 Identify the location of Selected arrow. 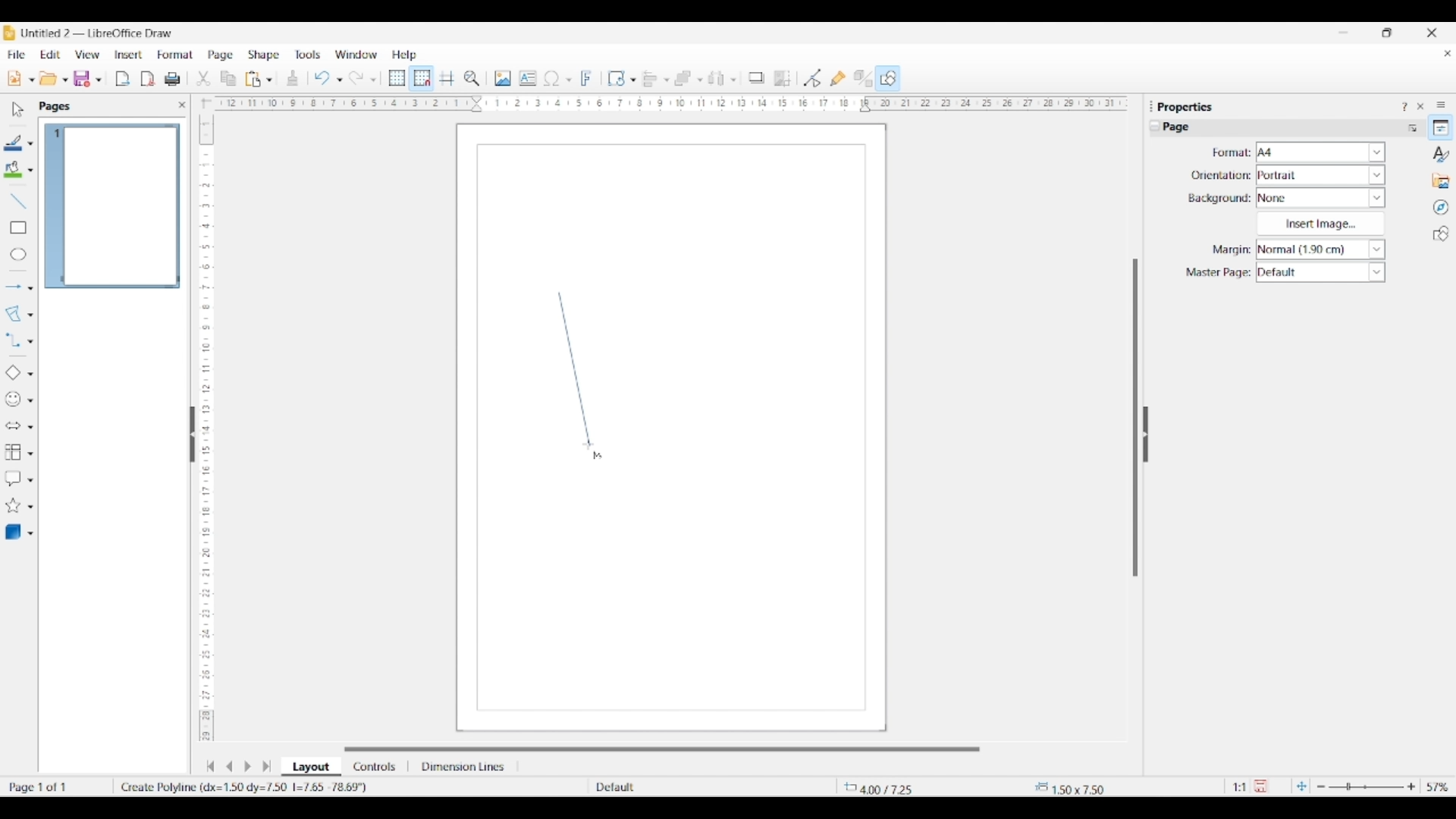
(14, 287).